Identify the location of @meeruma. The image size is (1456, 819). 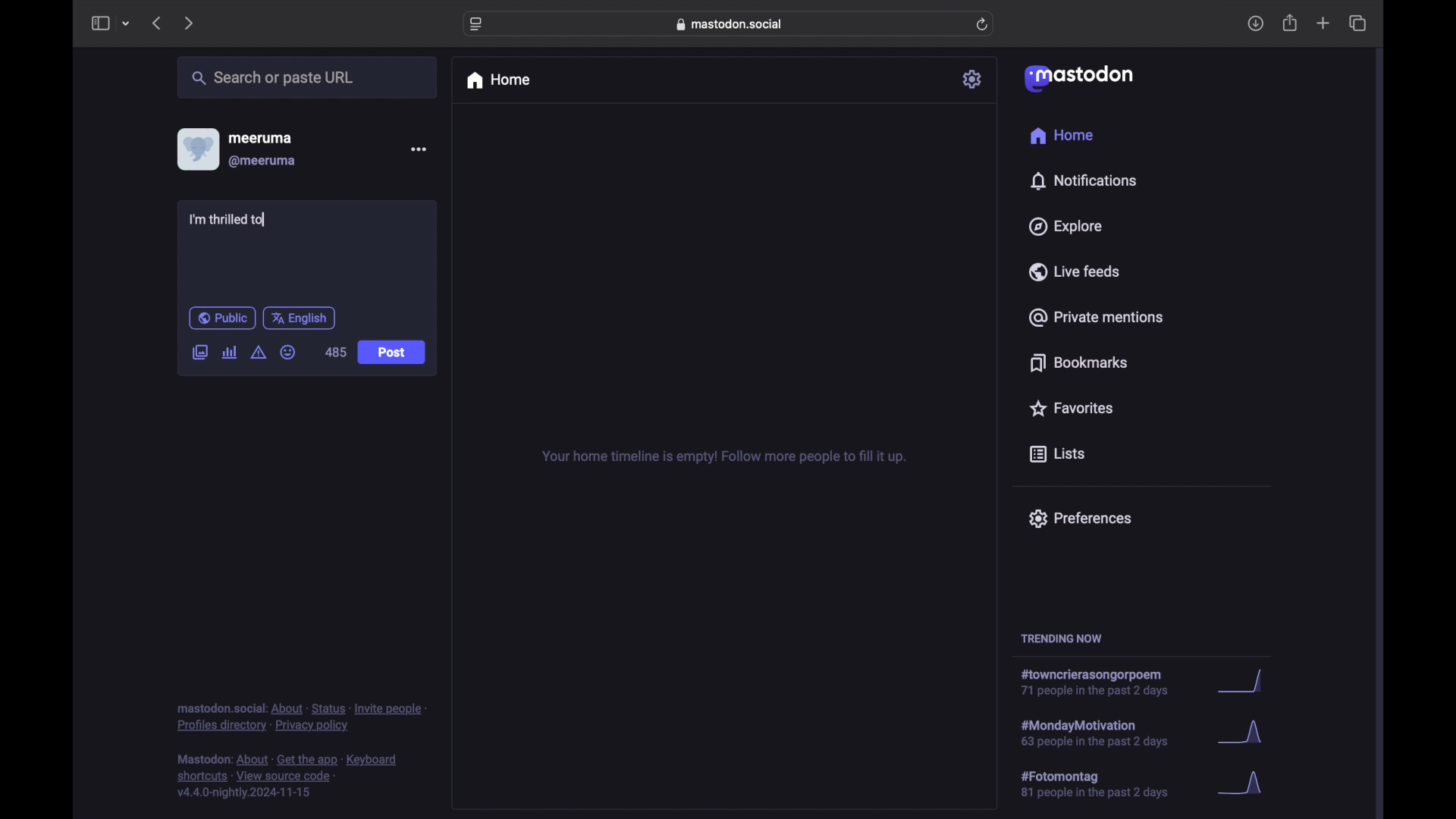
(264, 162).